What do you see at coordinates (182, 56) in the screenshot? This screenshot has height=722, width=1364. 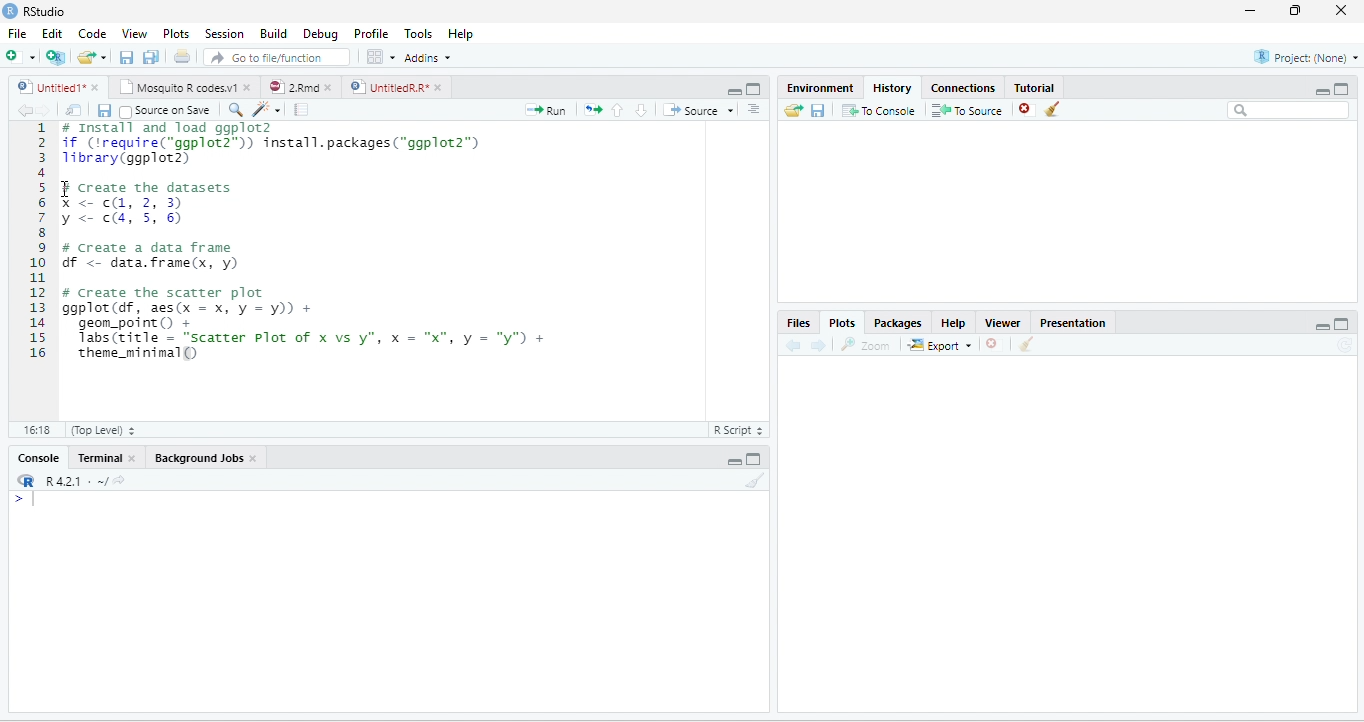 I see `Print the current file` at bounding box center [182, 56].